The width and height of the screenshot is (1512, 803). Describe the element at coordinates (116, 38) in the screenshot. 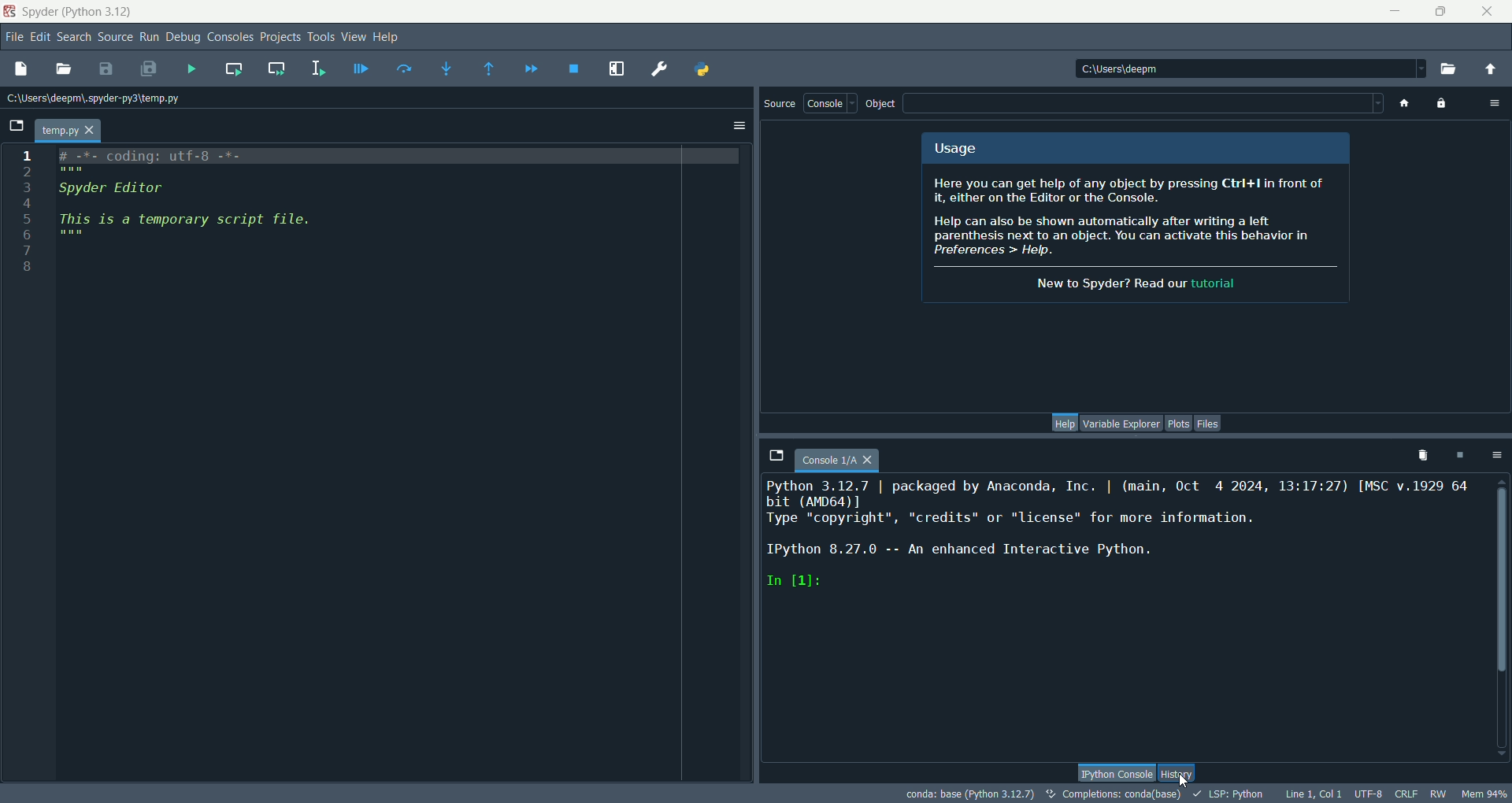

I see `source` at that location.